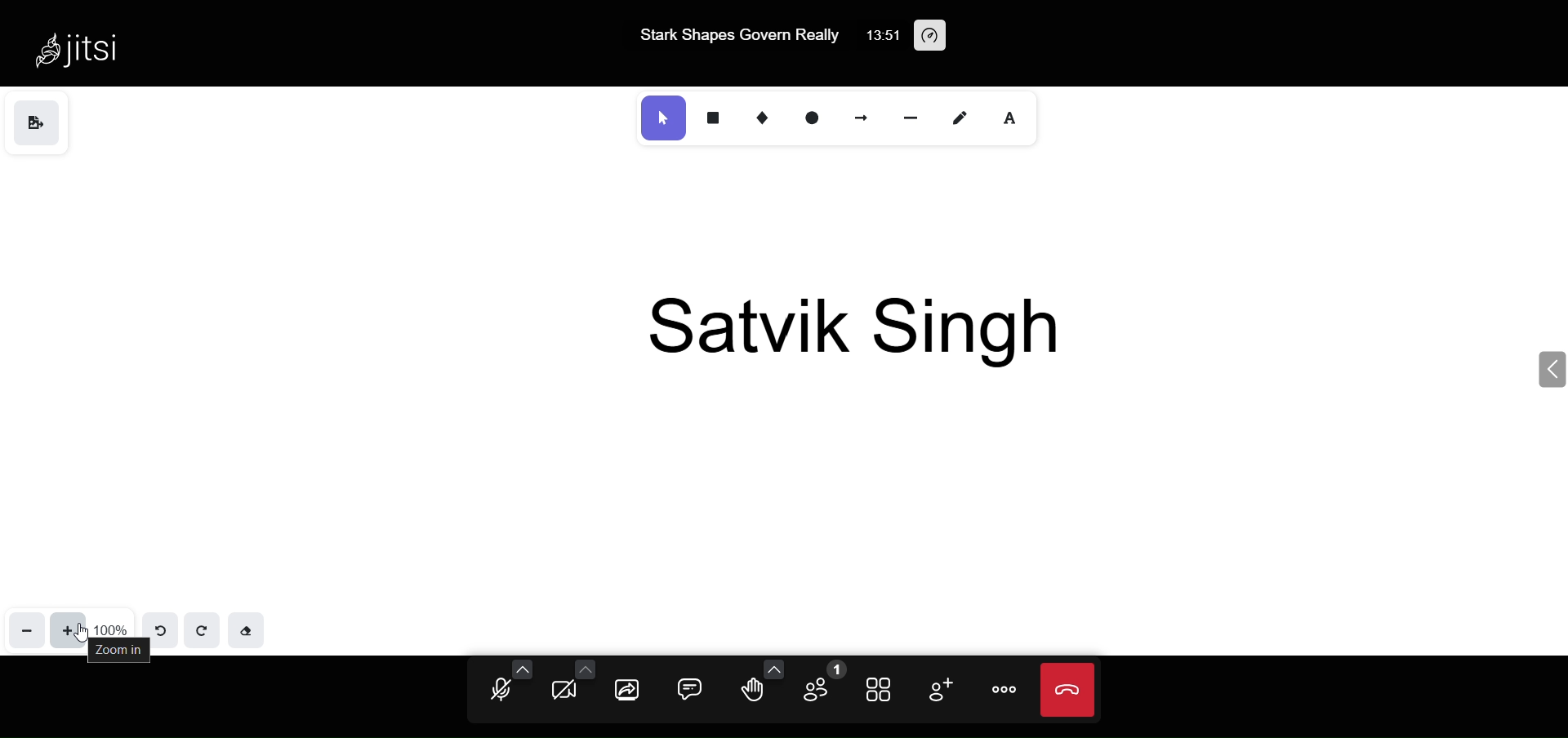 The height and width of the screenshot is (738, 1568). I want to click on rectangle, so click(712, 117).